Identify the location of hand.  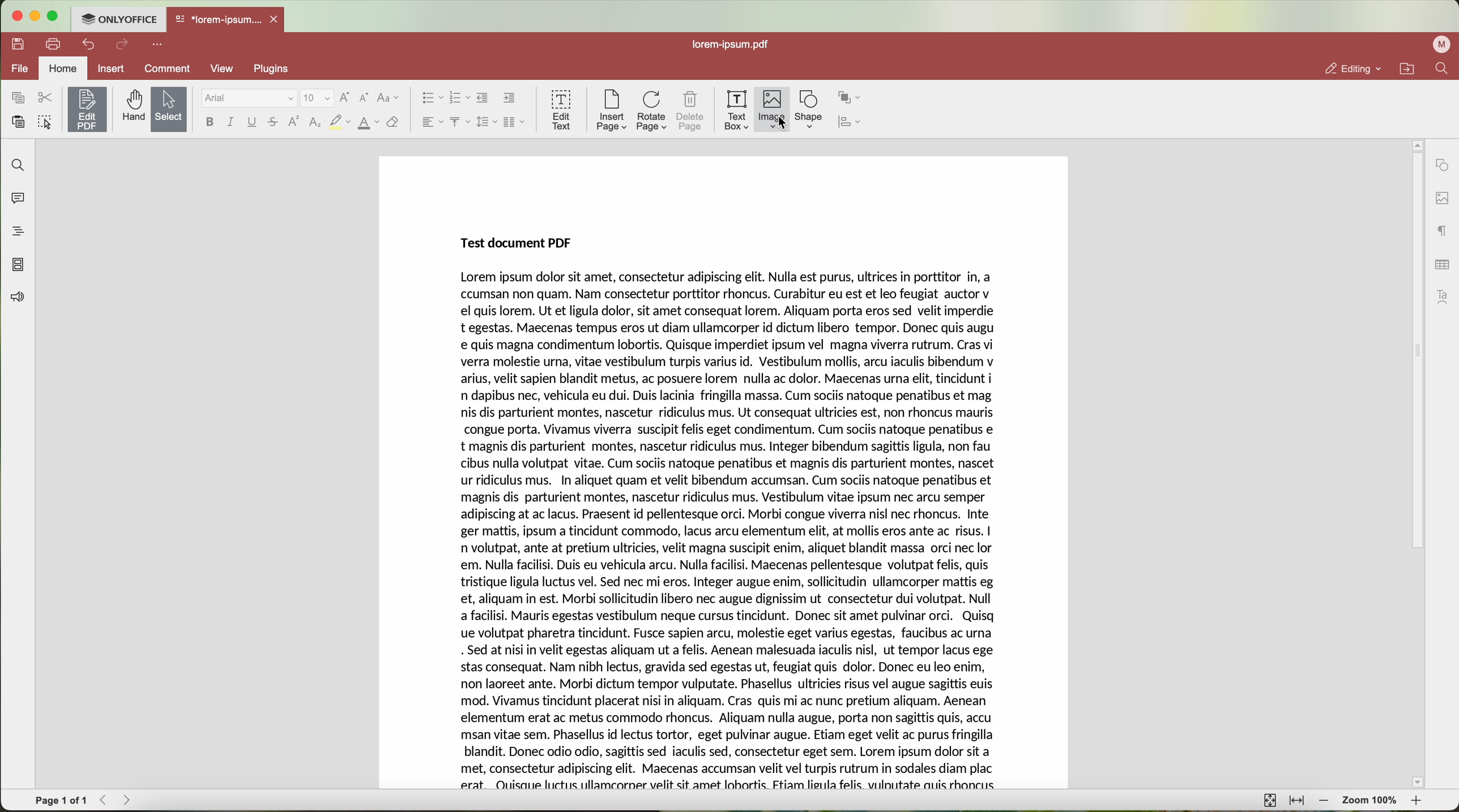
(132, 106).